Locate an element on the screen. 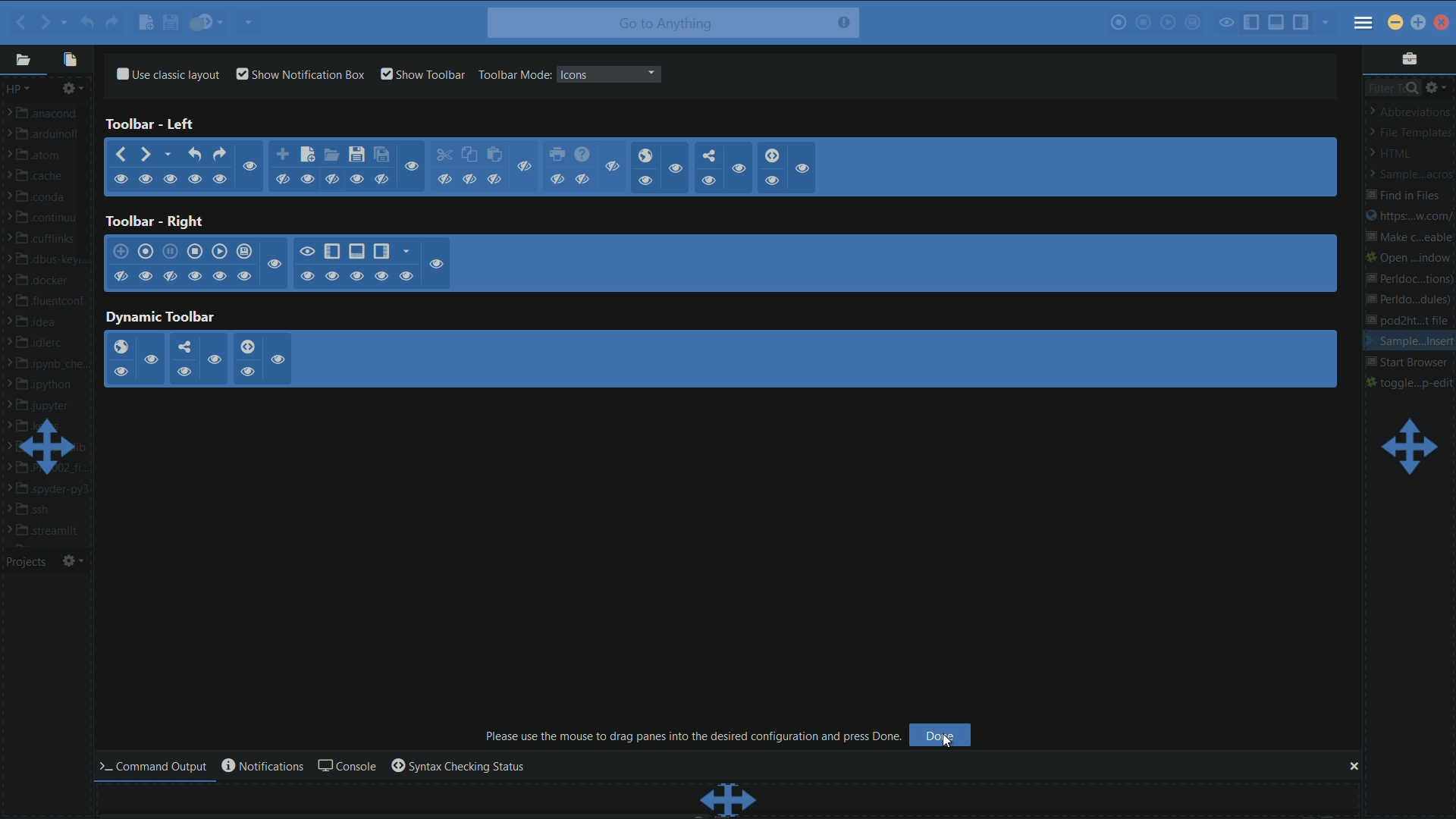  syntax checking status is located at coordinates (457, 767).